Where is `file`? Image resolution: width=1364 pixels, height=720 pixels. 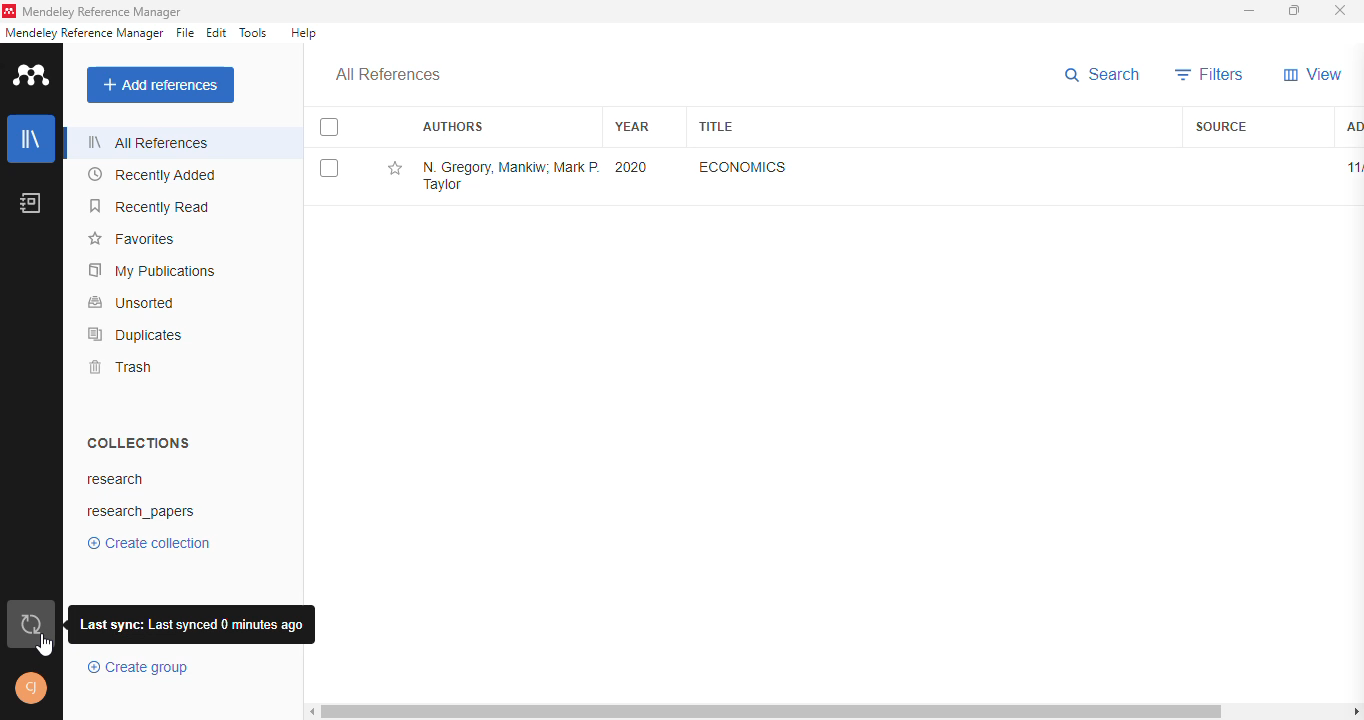 file is located at coordinates (185, 33).